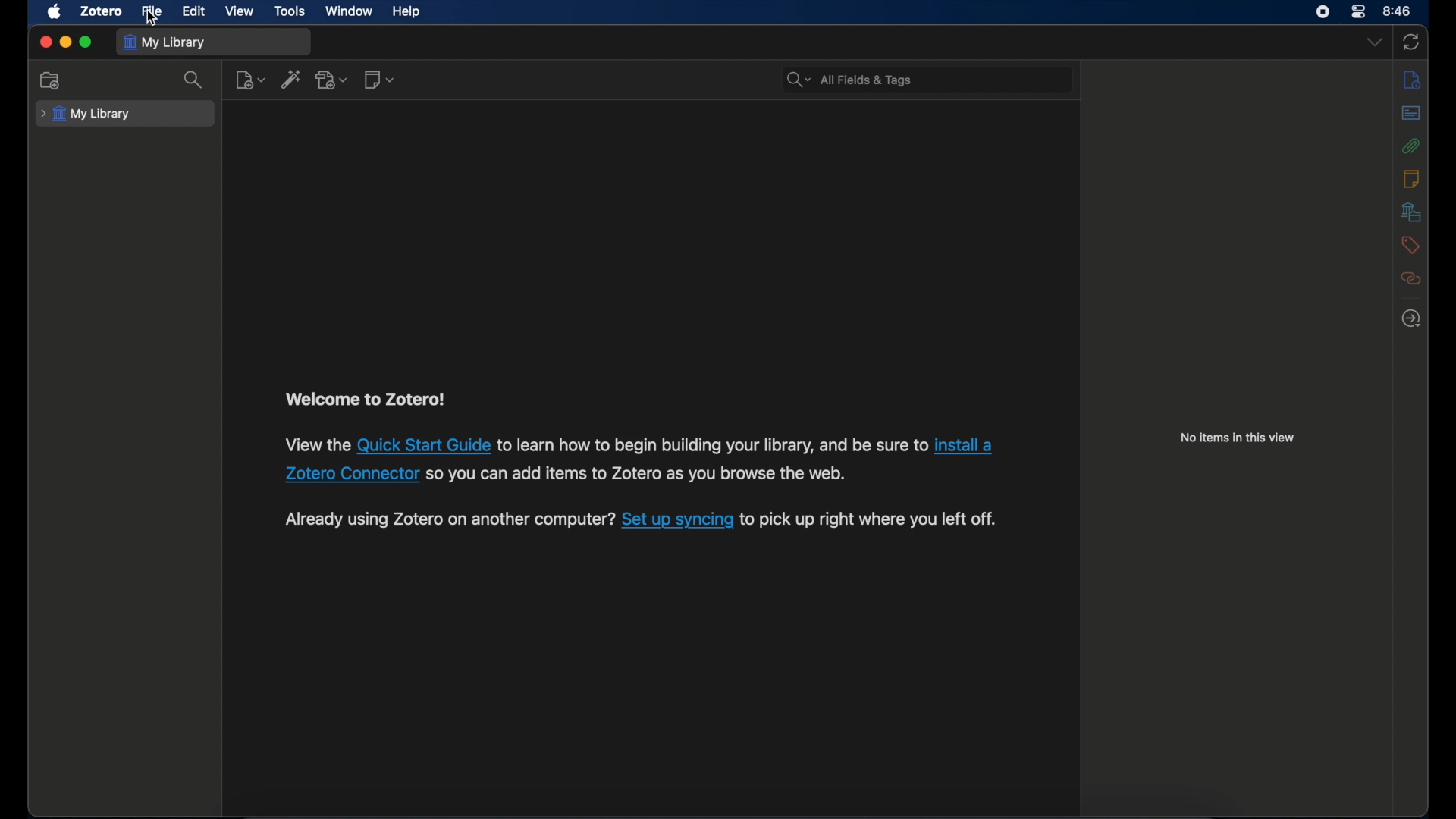 The image size is (1456, 819). I want to click on close, so click(45, 42).